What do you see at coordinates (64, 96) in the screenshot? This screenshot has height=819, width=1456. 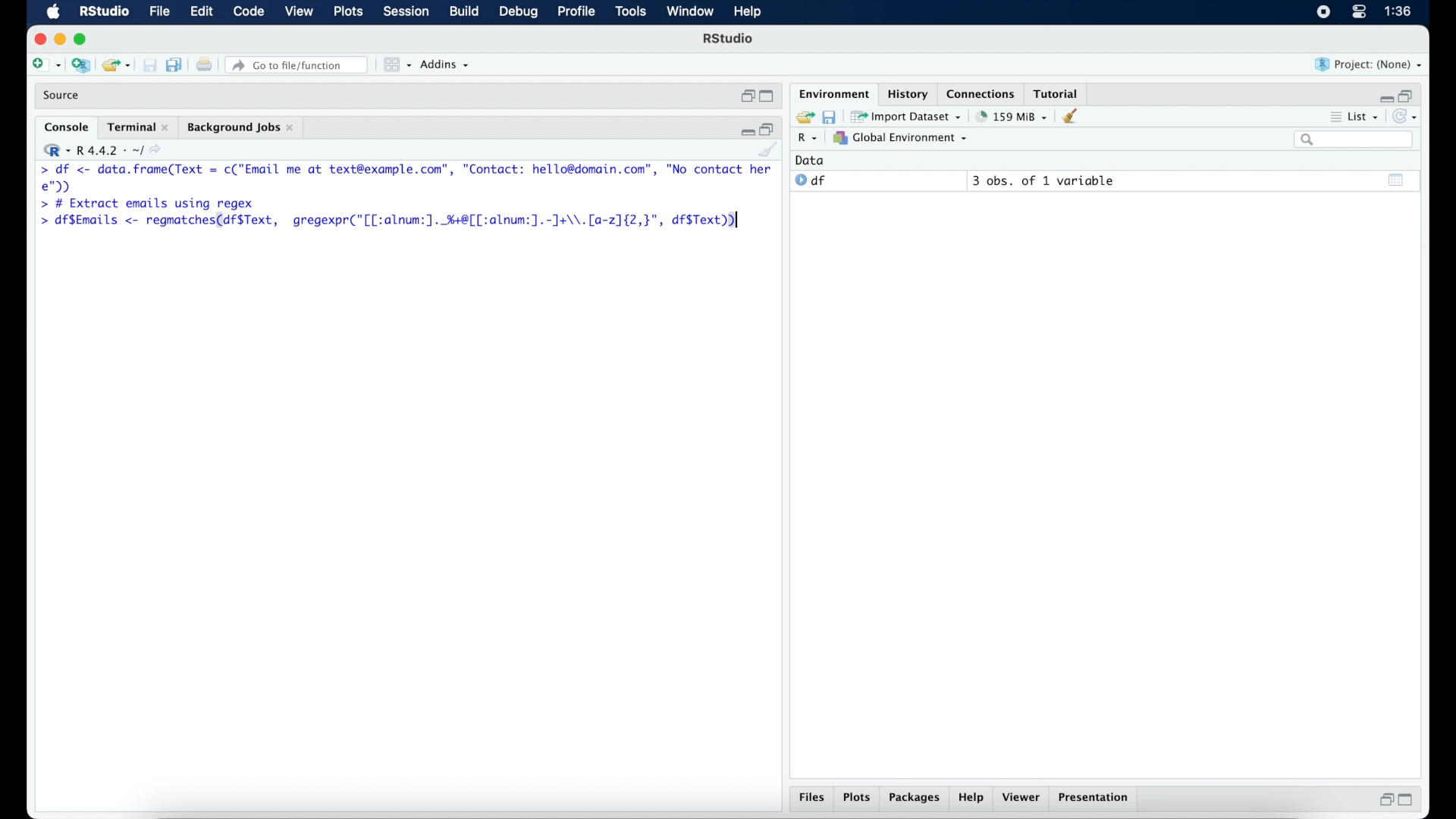 I see `source` at bounding box center [64, 96].